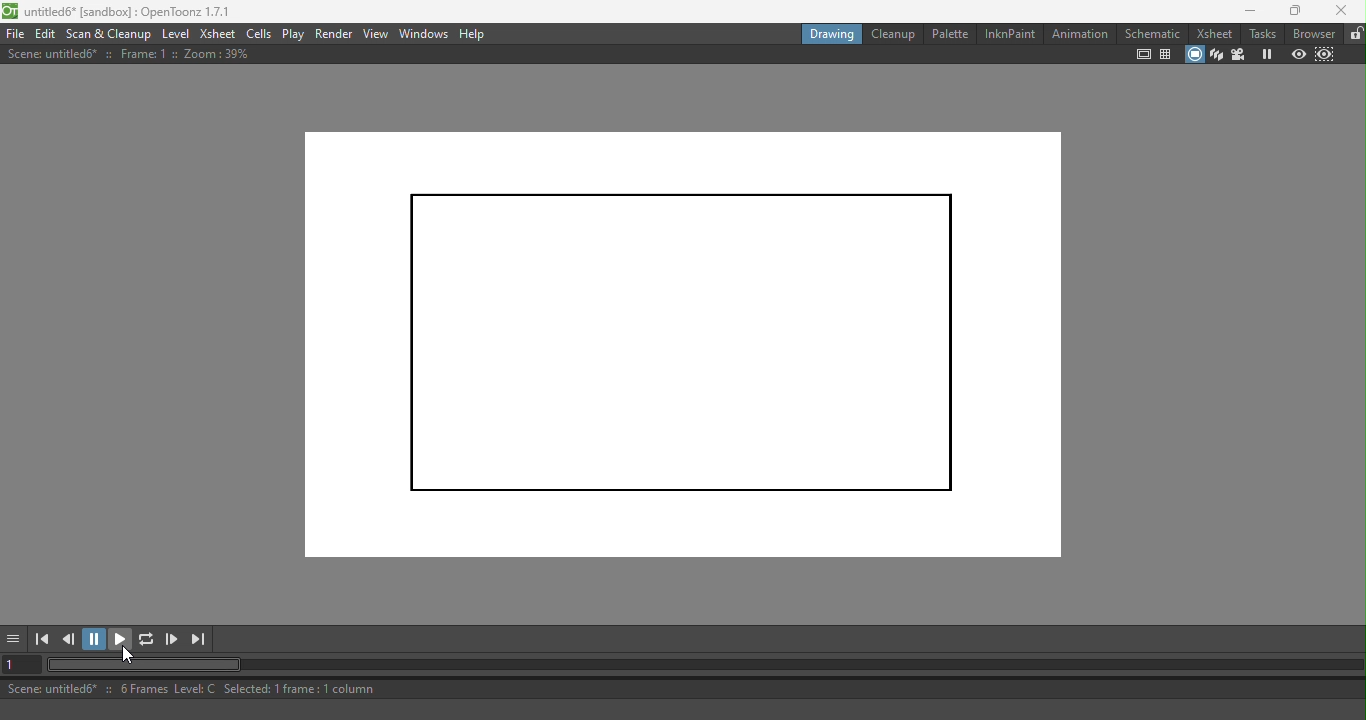 Image resolution: width=1366 pixels, height=720 pixels. I want to click on Schematic, so click(1155, 34).